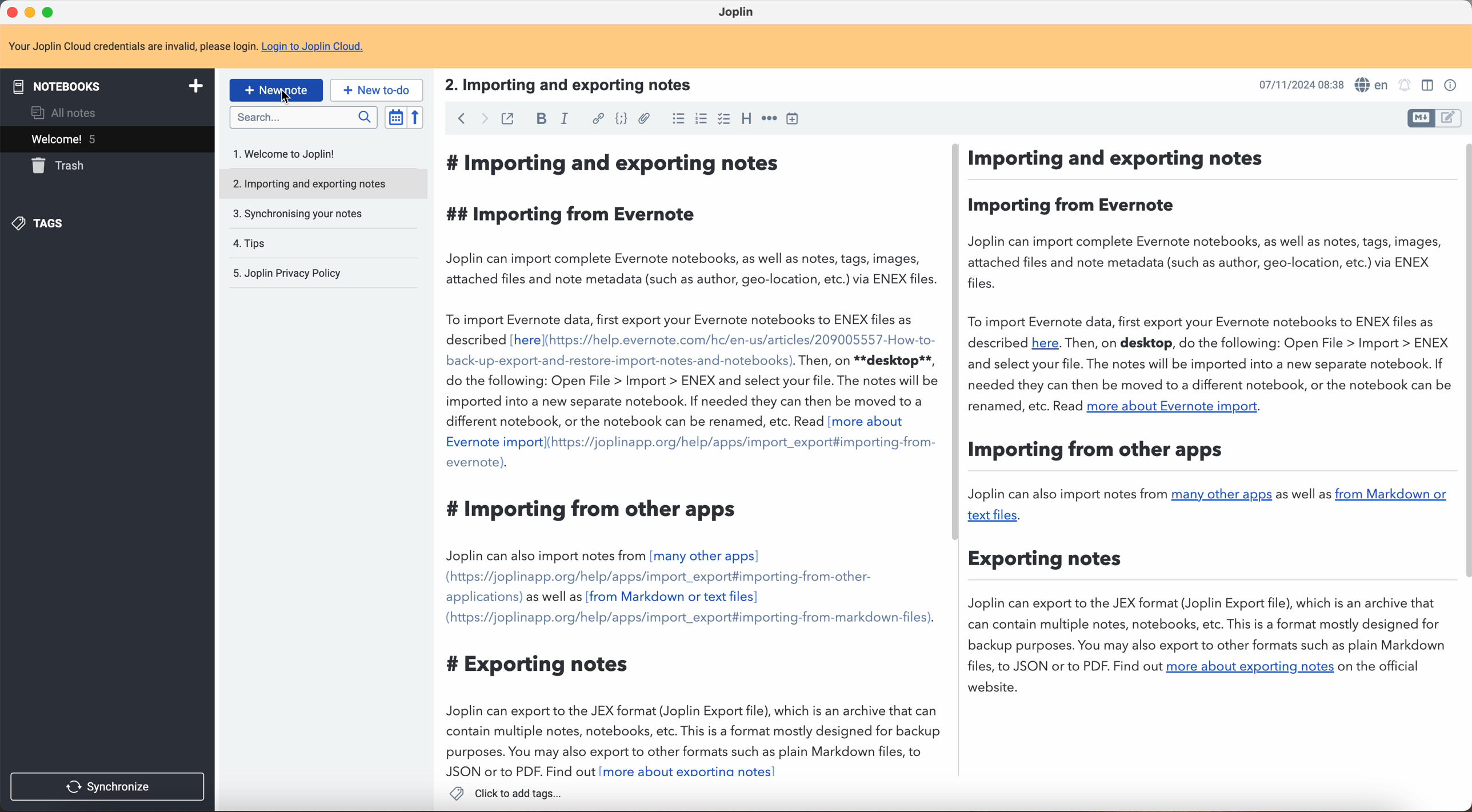 This screenshot has width=1472, height=812. What do you see at coordinates (111, 786) in the screenshot?
I see `synchronise` at bounding box center [111, 786].